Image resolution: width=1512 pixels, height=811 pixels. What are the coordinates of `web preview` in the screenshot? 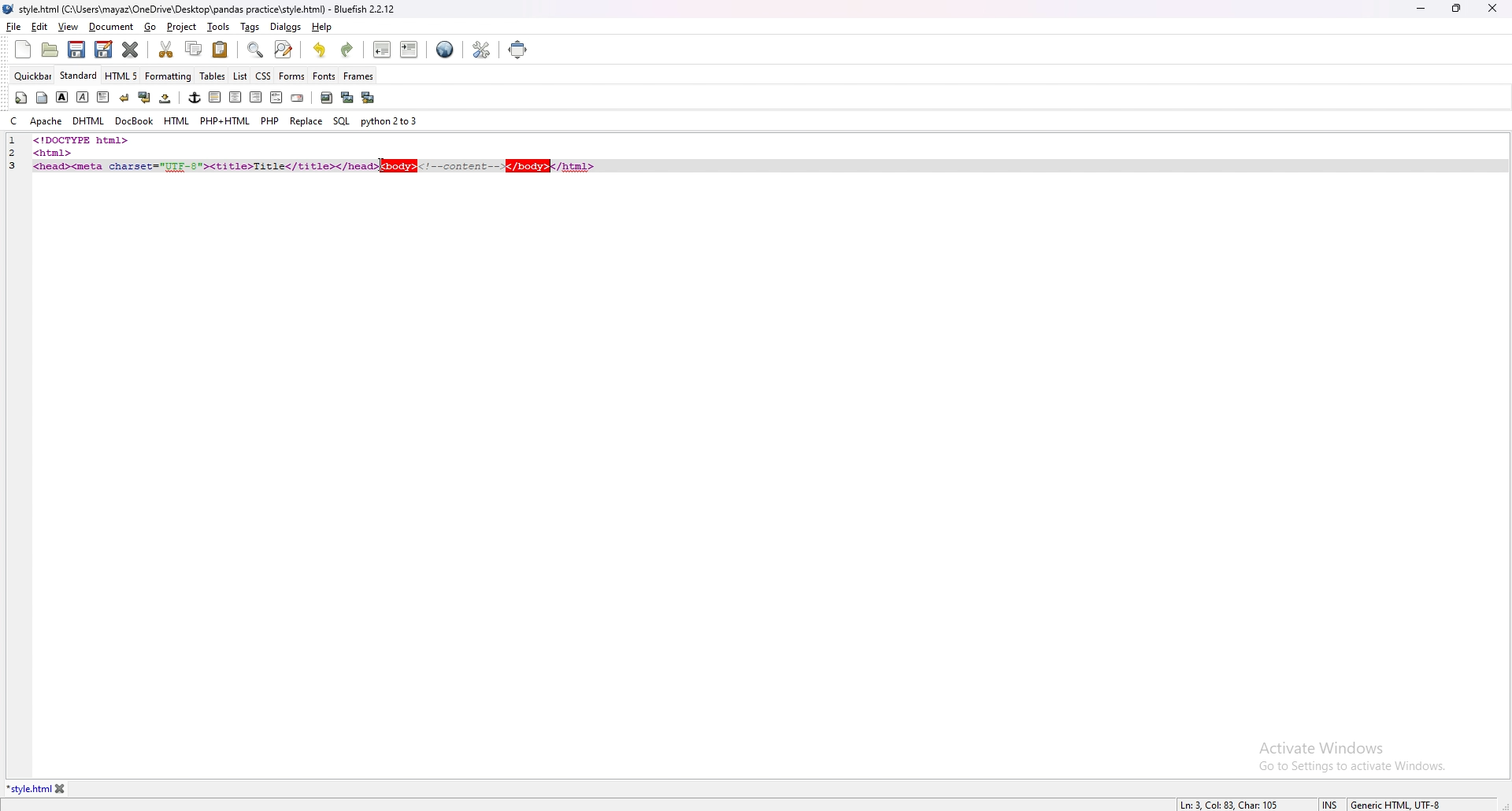 It's located at (445, 50).